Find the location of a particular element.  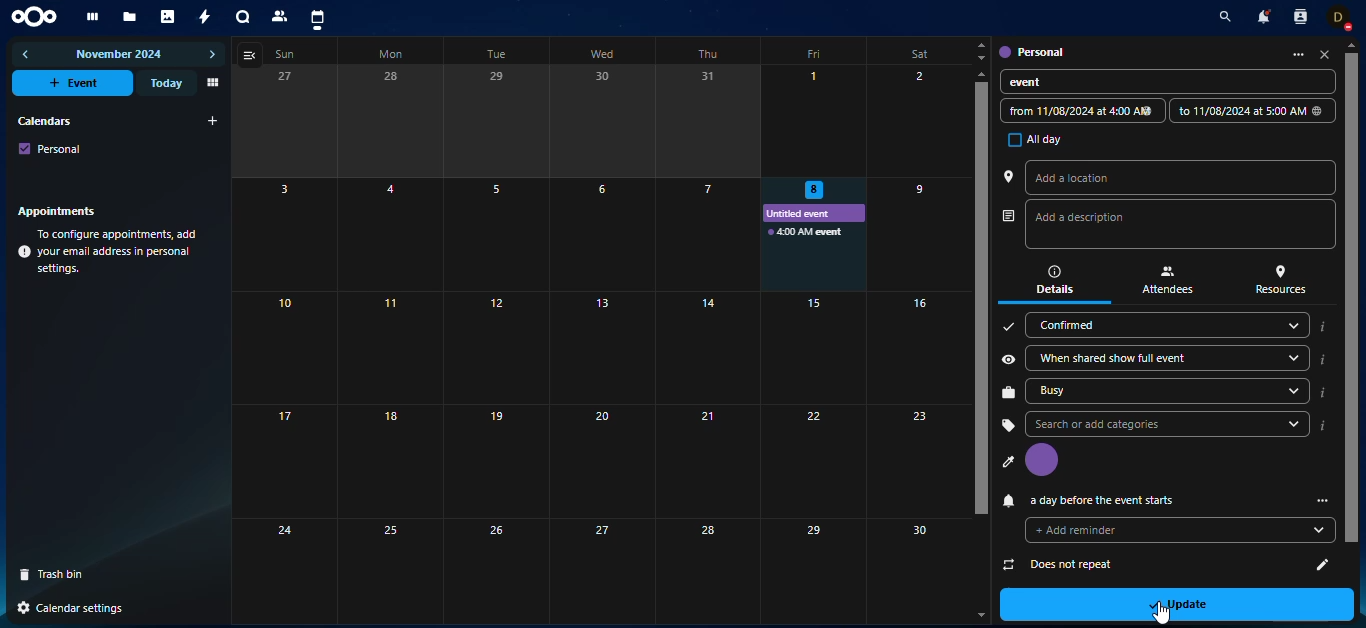

3 is located at coordinates (285, 235).